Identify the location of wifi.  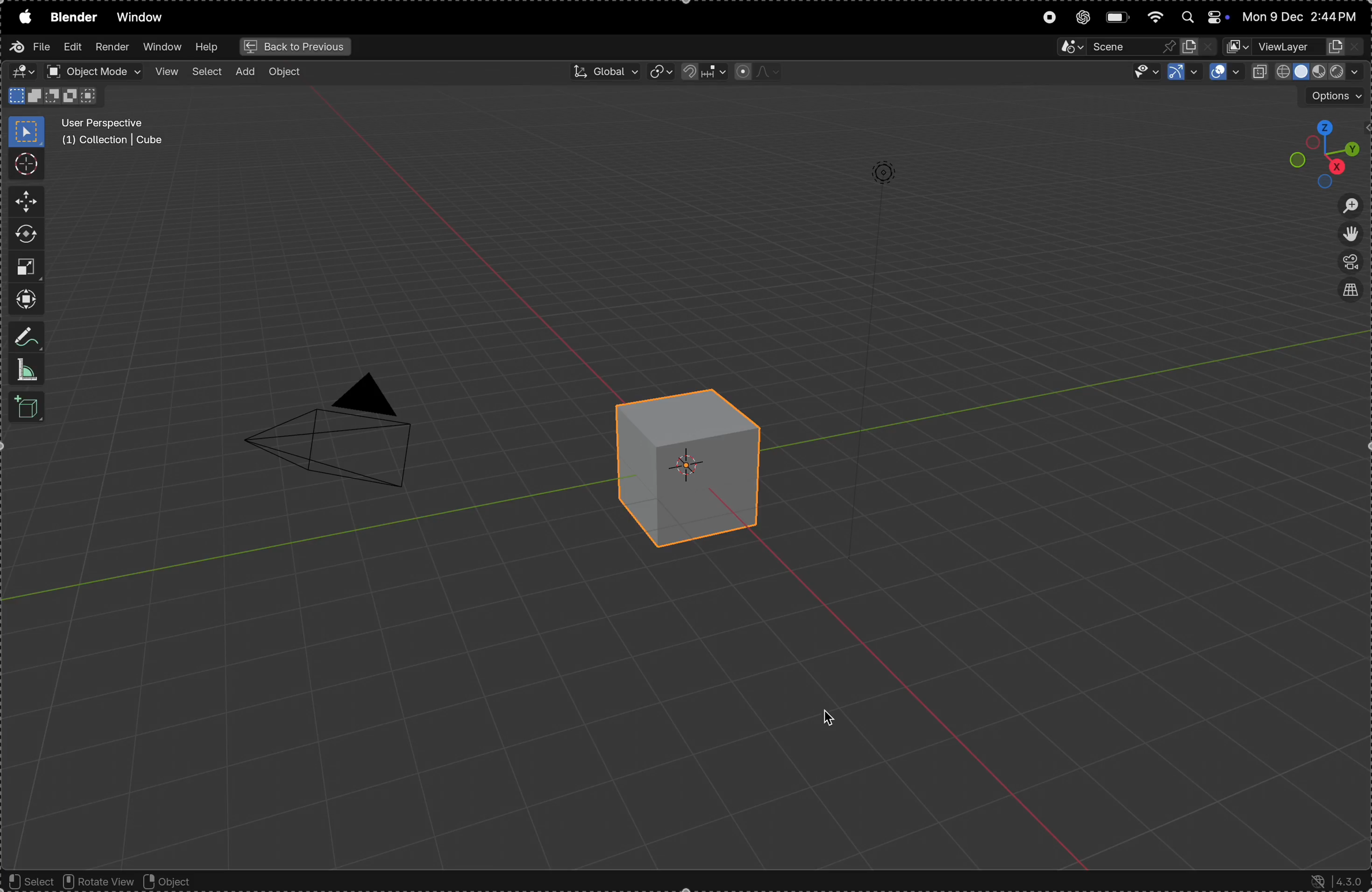
(1155, 17).